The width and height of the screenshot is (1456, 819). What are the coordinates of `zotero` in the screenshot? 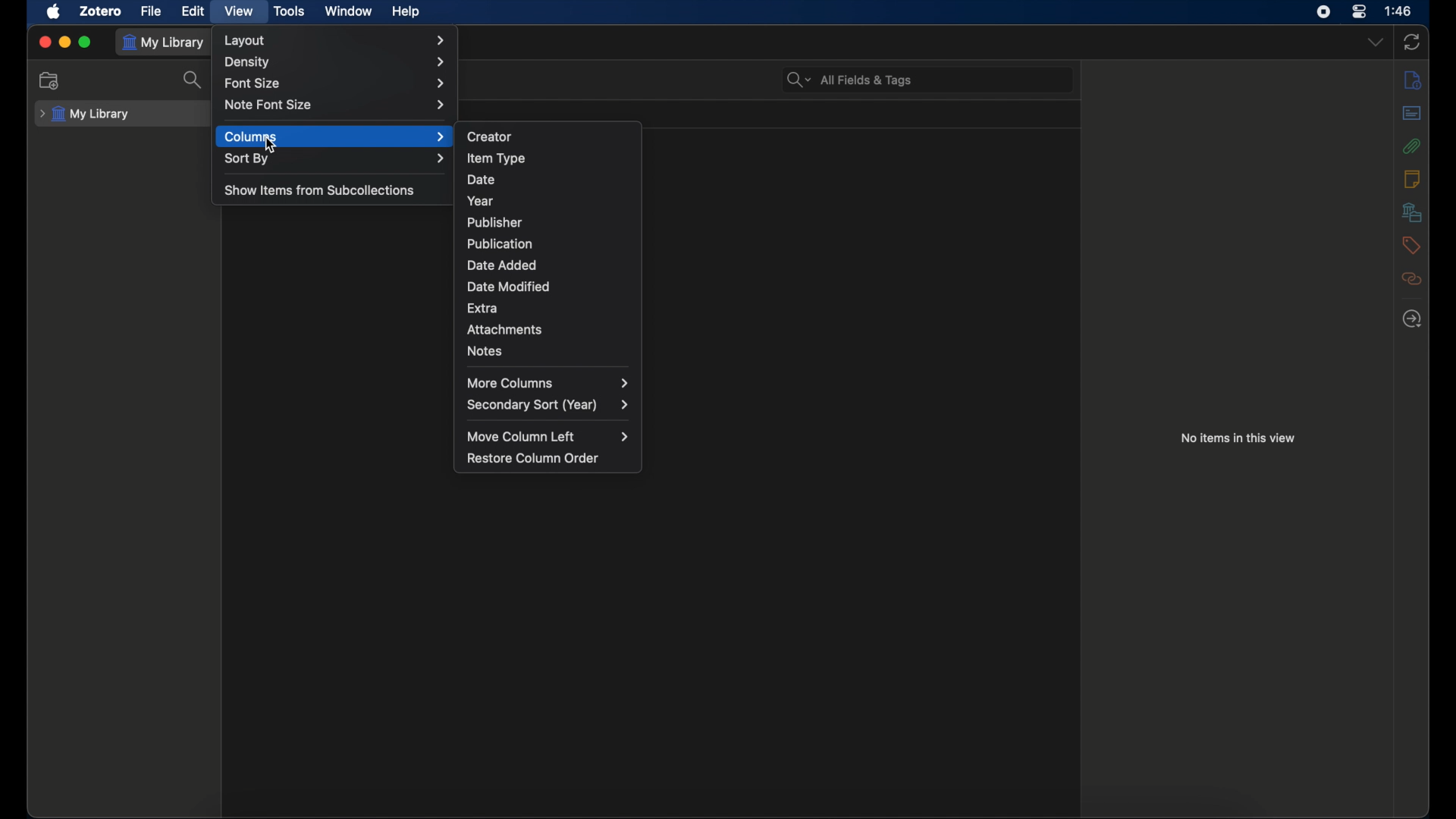 It's located at (99, 11).